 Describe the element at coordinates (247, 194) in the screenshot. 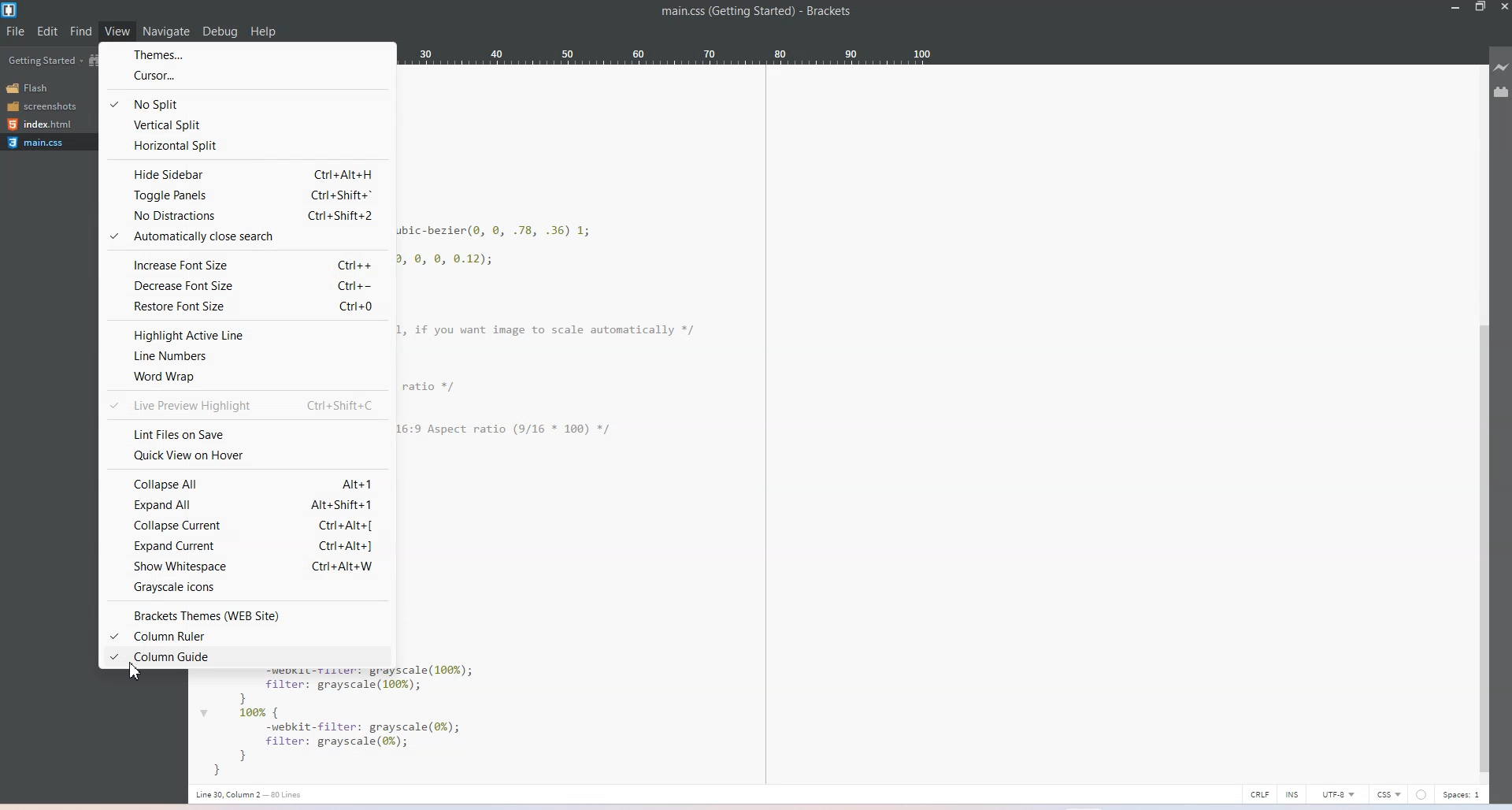

I see `Toggle panels` at that location.